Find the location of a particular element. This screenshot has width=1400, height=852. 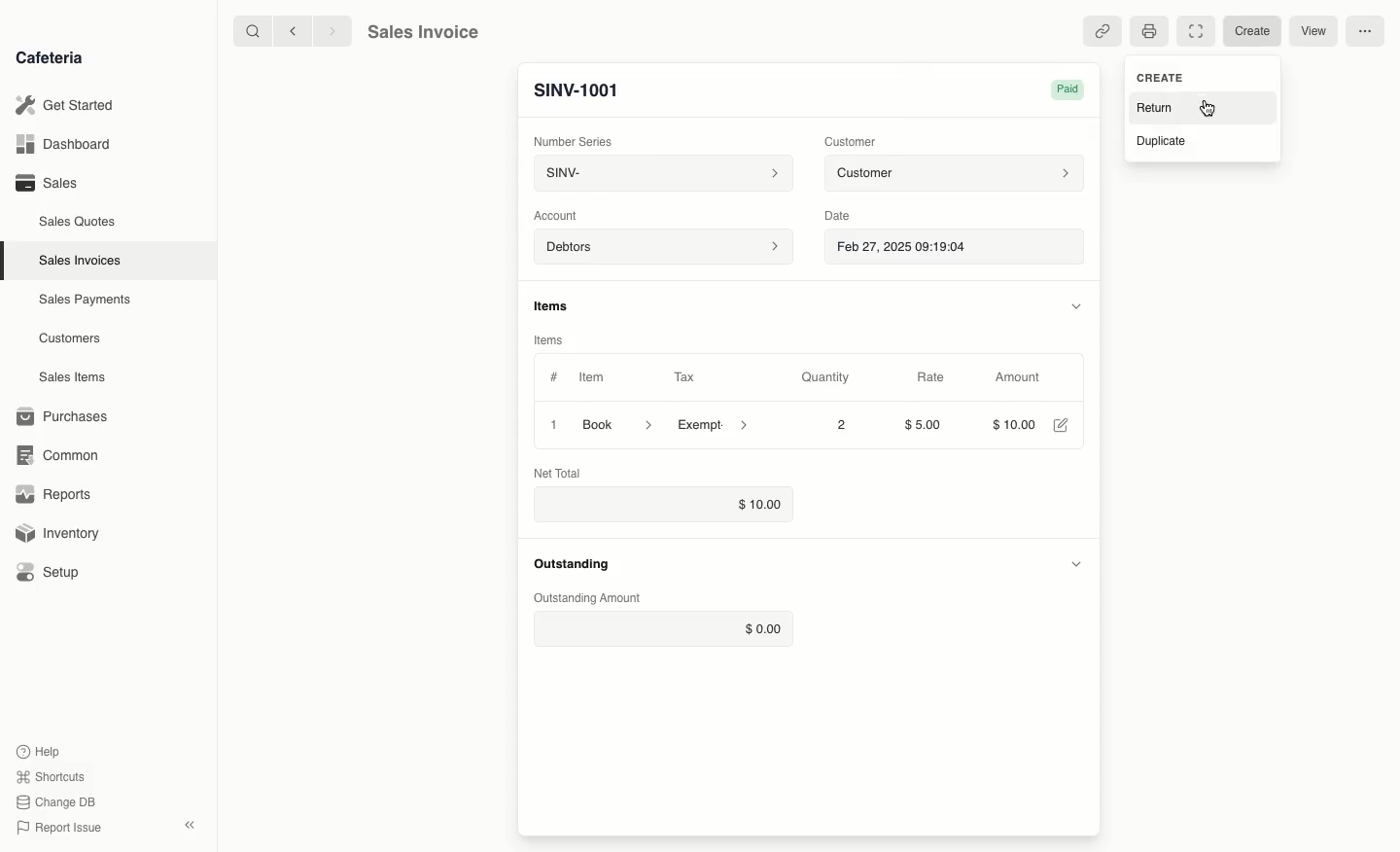

‘Outstanding Amount is located at coordinates (588, 599).